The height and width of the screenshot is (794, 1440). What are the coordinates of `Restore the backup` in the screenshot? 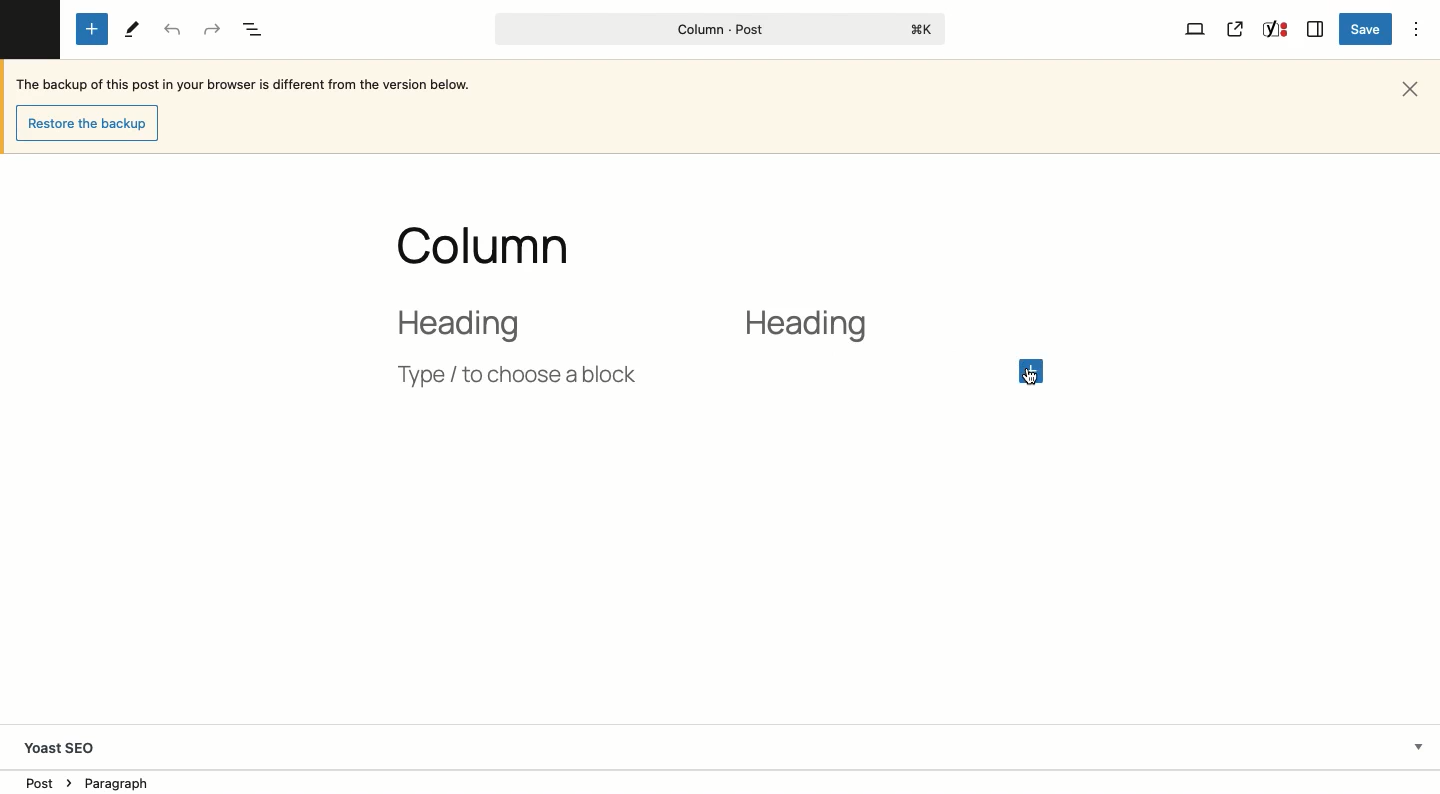 It's located at (92, 124).